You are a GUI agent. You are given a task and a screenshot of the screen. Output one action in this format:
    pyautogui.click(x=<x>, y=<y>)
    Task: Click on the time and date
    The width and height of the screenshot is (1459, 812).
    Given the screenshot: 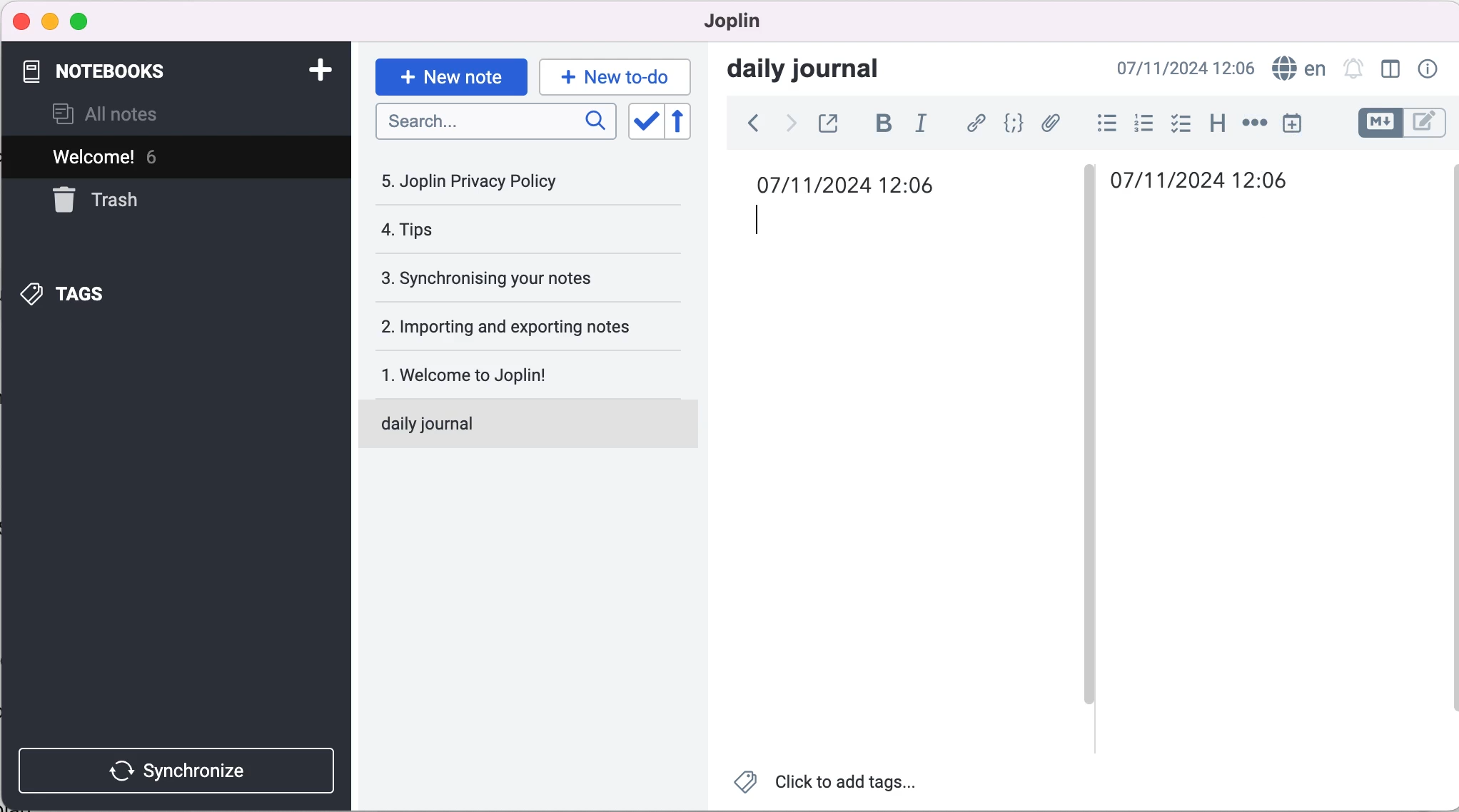 What is the action you would take?
    pyautogui.click(x=857, y=186)
    